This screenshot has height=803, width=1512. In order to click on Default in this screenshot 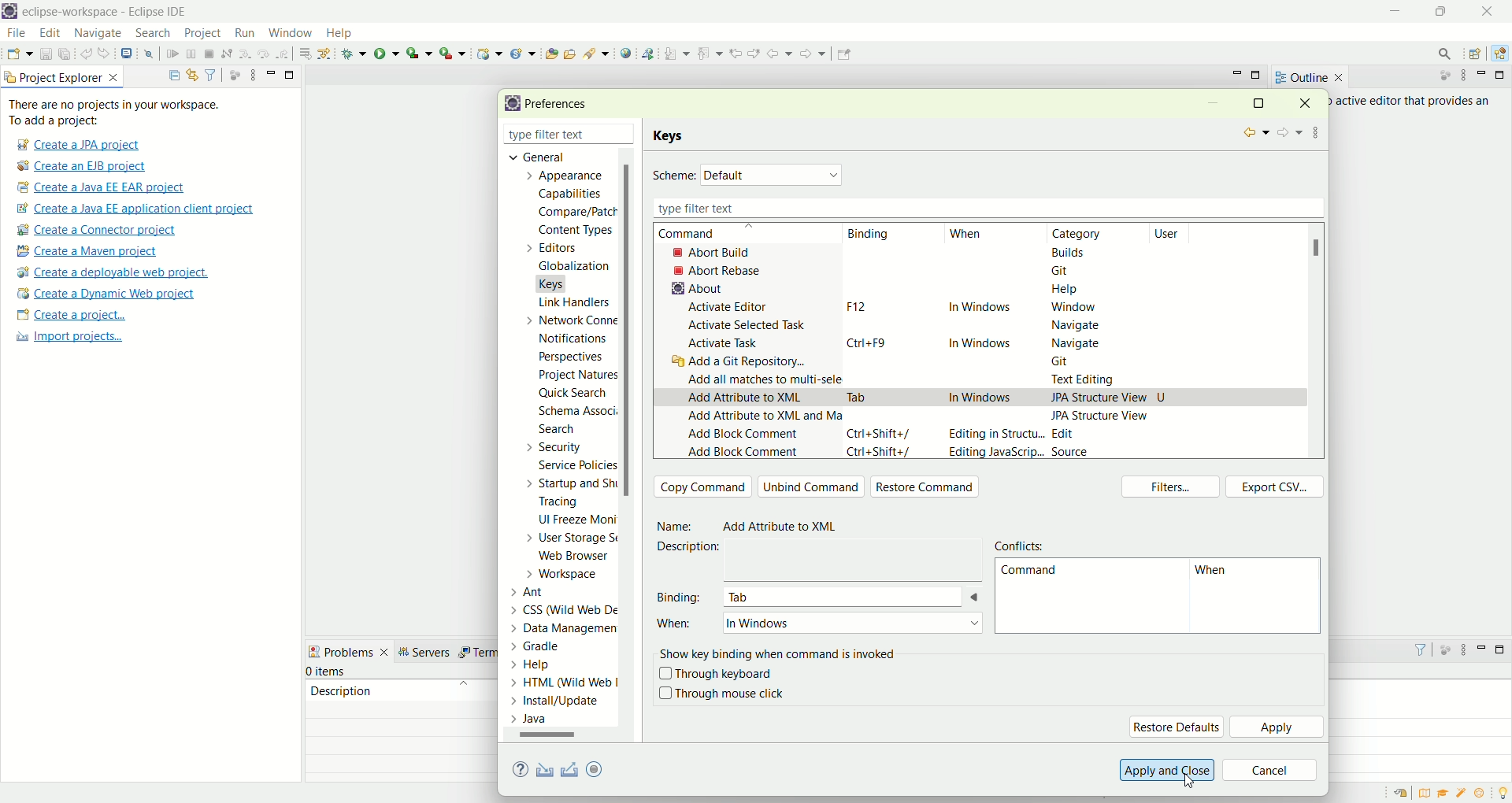, I will do `click(773, 174)`.